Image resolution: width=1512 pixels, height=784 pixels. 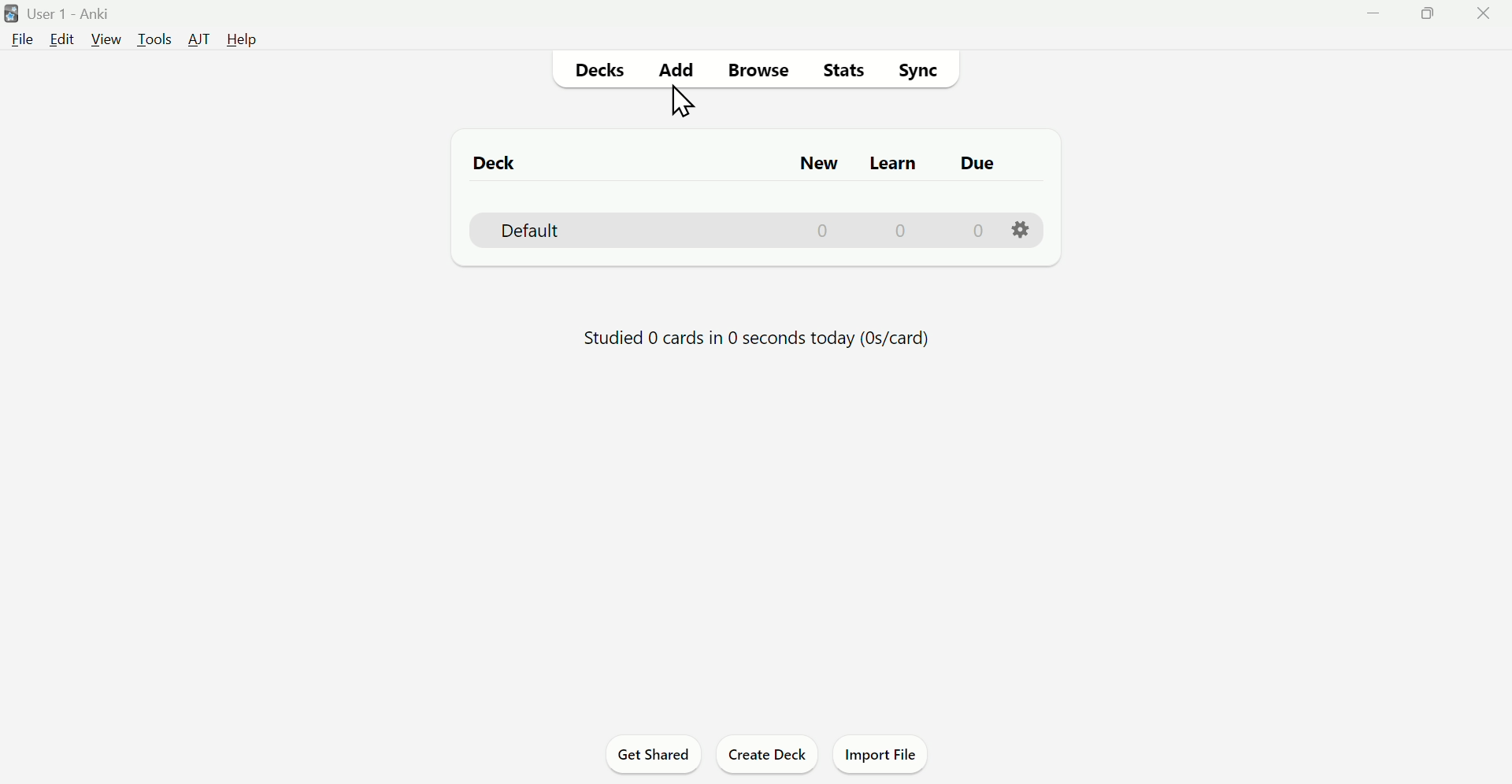 What do you see at coordinates (239, 40) in the screenshot?
I see `Help` at bounding box center [239, 40].